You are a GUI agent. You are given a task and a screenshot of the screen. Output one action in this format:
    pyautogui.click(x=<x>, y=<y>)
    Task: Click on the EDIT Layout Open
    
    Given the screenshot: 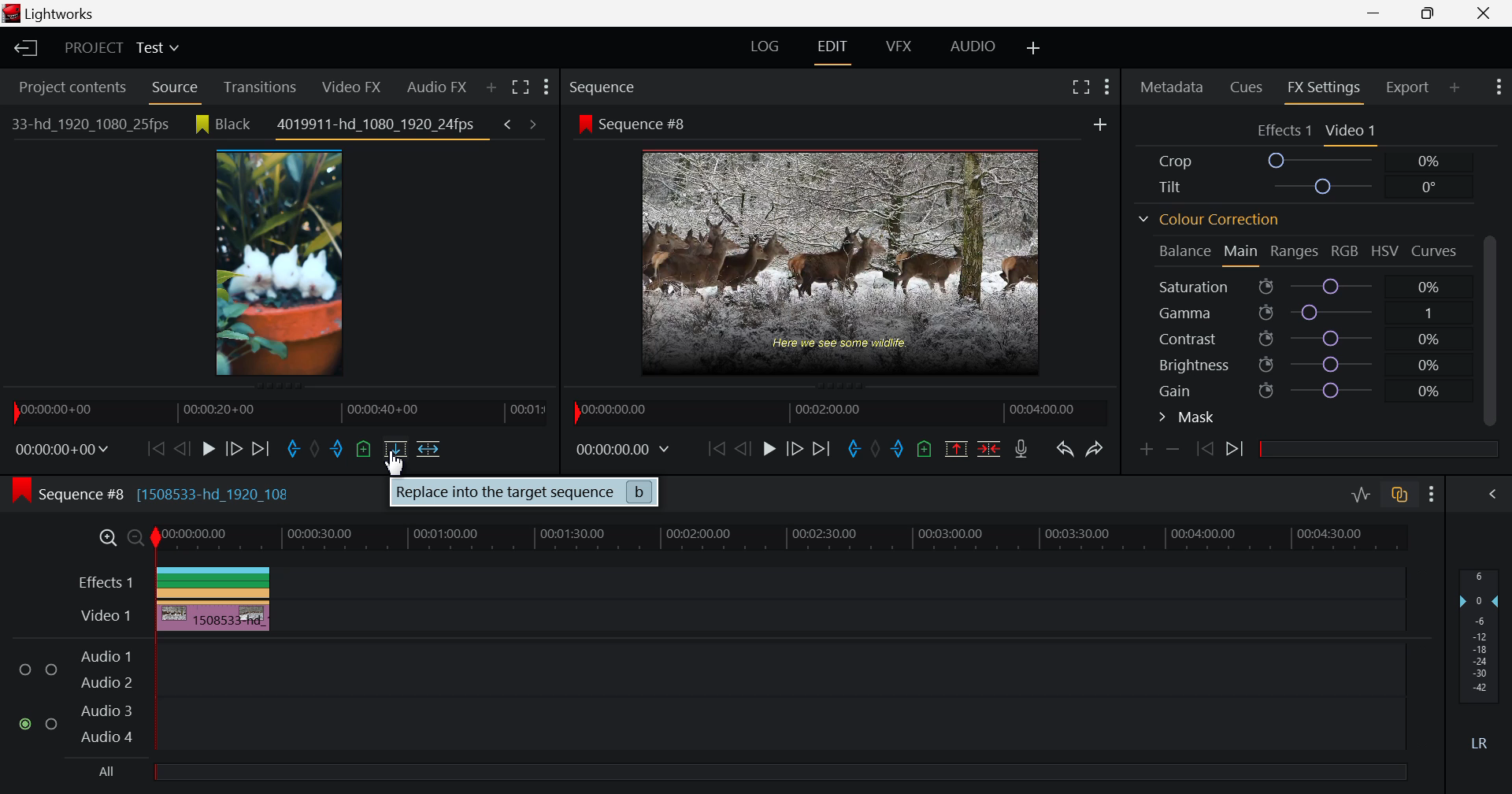 What is the action you would take?
    pyautogui.click(x=833, y=50)
    